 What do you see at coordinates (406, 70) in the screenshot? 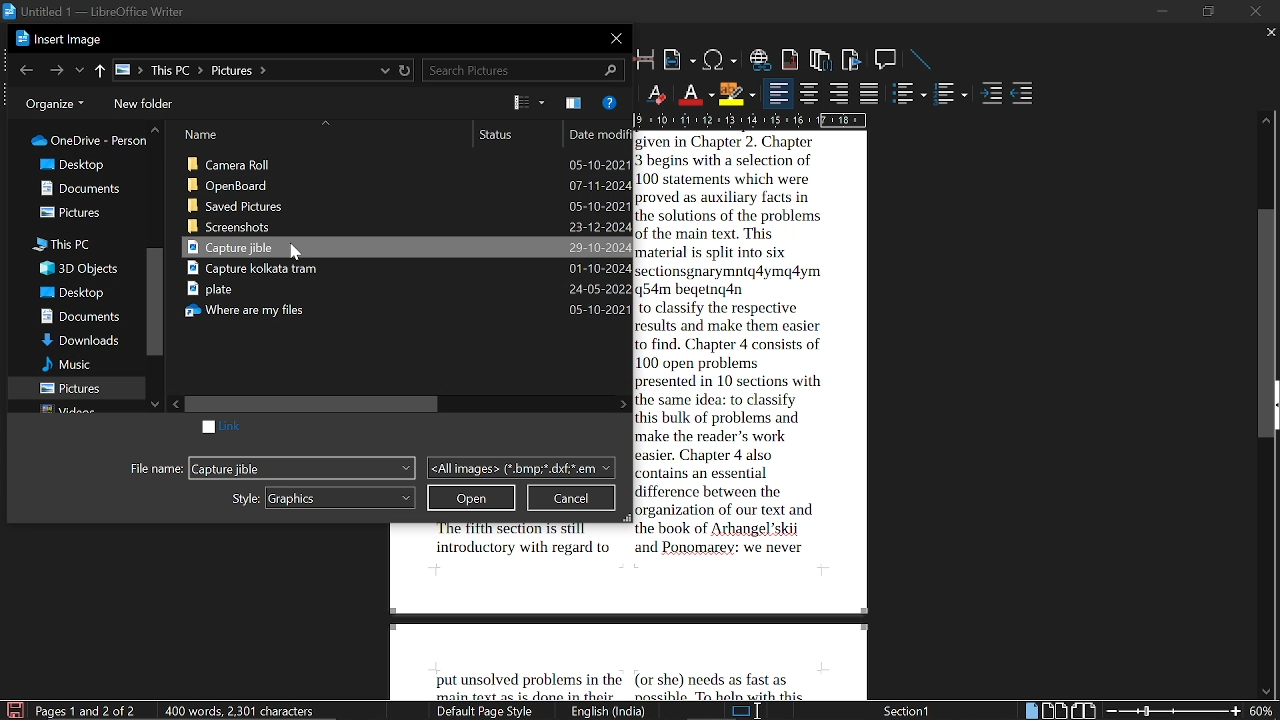
I see `refresh` at bounding box center [406, 70].